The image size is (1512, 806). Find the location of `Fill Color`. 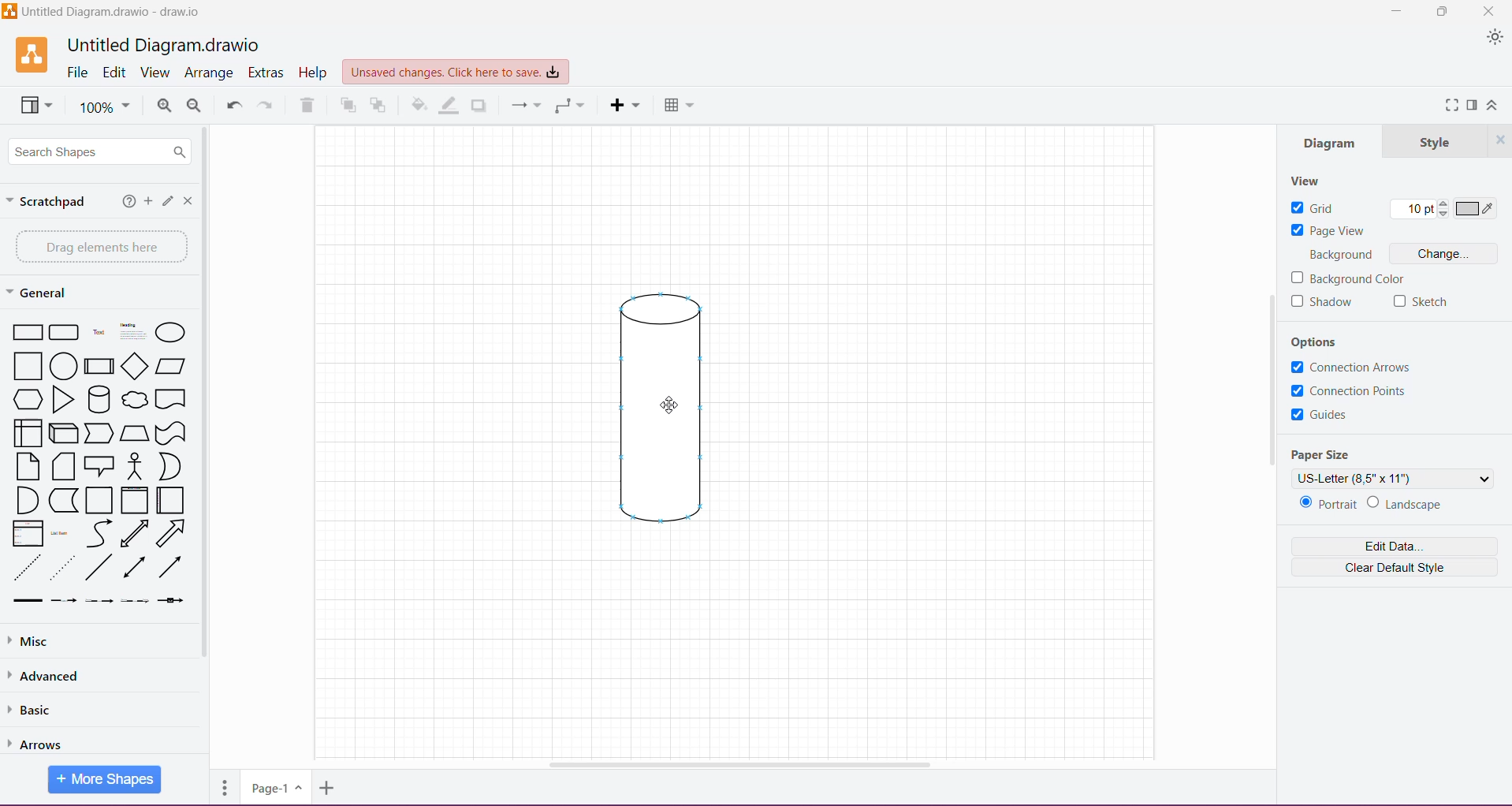

Fill Color is located at coordinates (418, 107).